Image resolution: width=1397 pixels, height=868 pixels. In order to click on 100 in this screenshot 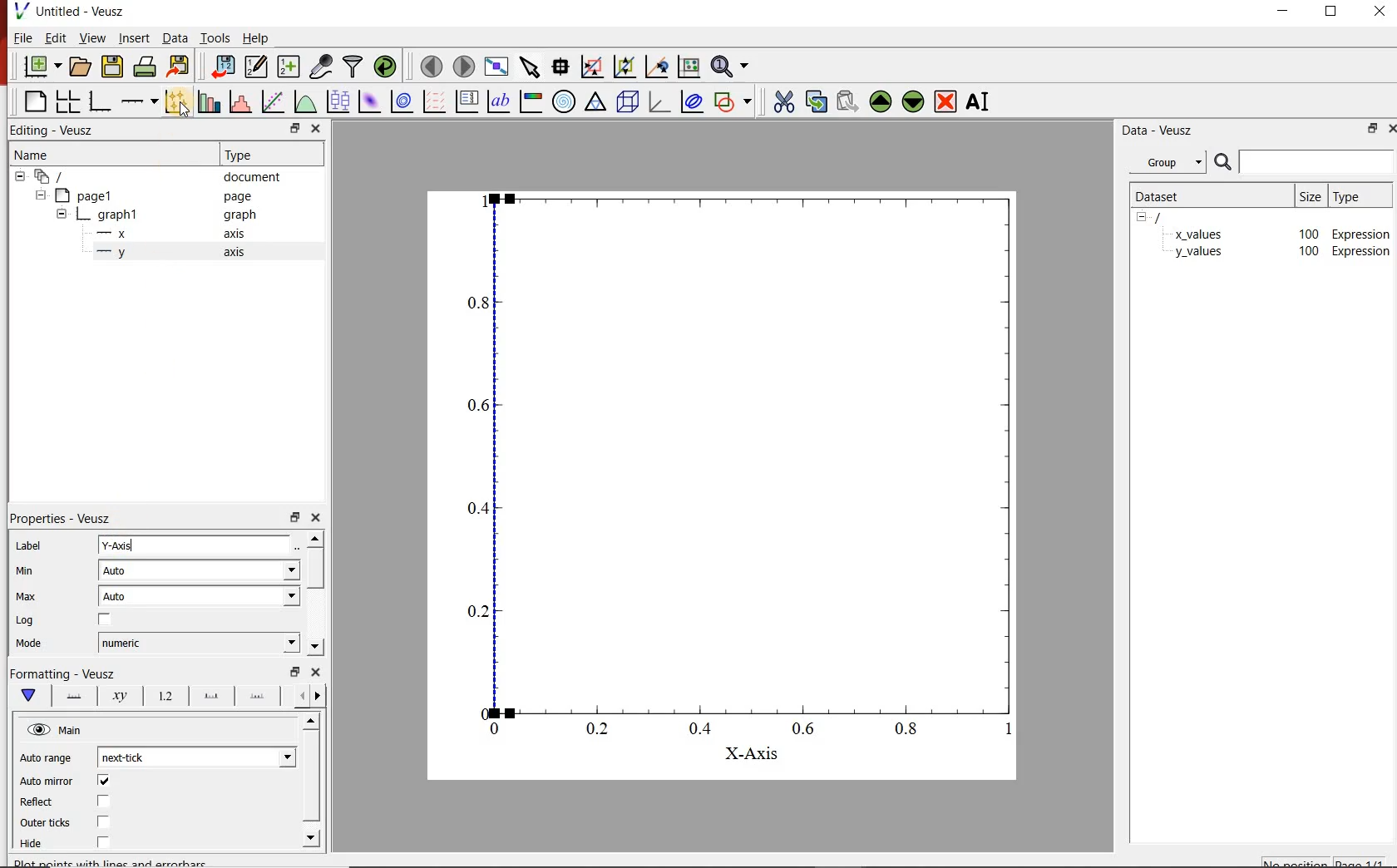, I will do `click(1308, 233)`.